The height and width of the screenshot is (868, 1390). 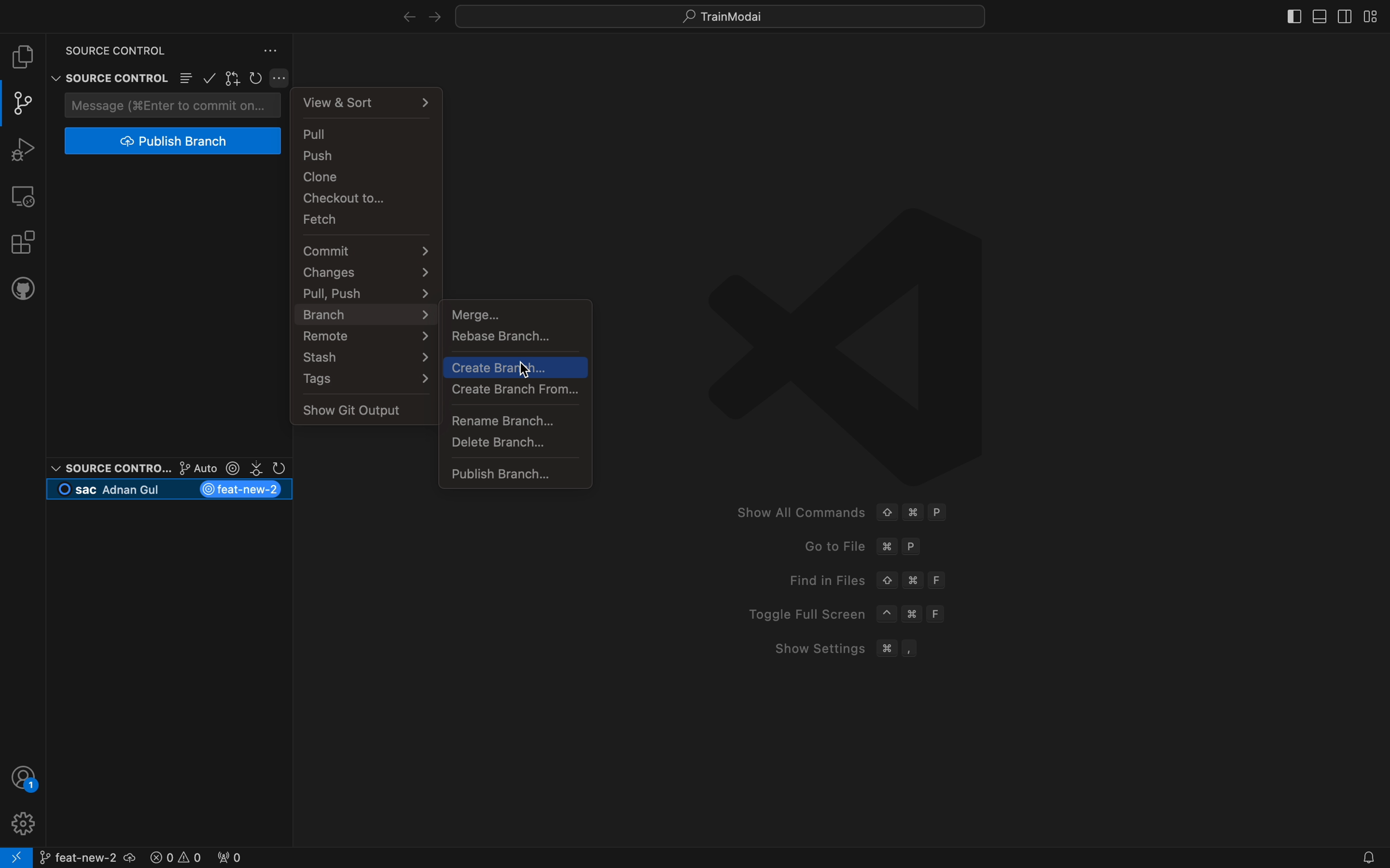 What do you see at coordinates (520, 390) in the screenshot?
I see `create a branch from others` at bounding box center [520, 390].